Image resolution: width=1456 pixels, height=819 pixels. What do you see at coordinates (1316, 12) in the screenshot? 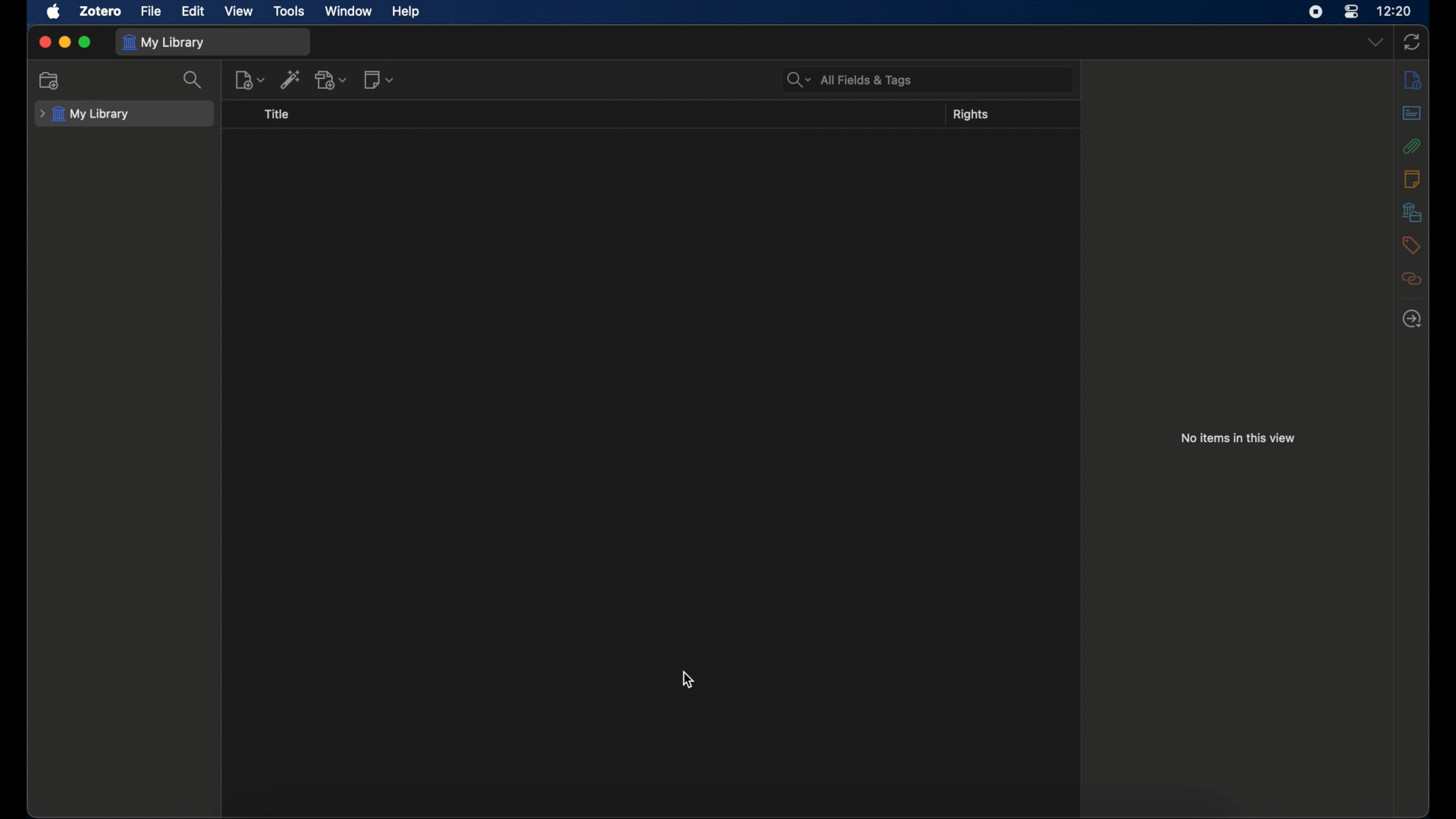
I see `screen recorder` at bounding box center [1316, 12].